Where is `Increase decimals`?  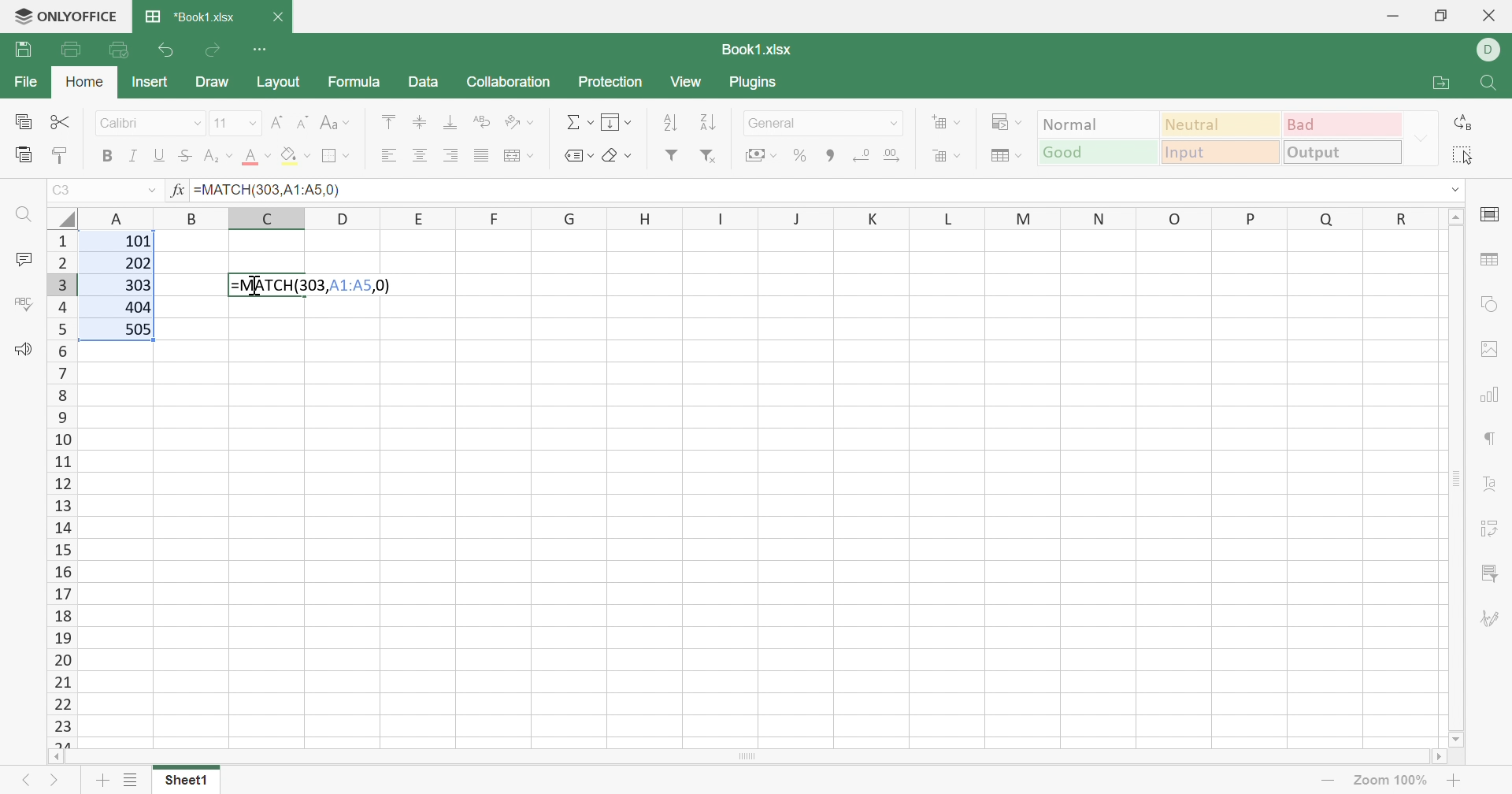
Increase decimals is located at coordinates (896, 156).